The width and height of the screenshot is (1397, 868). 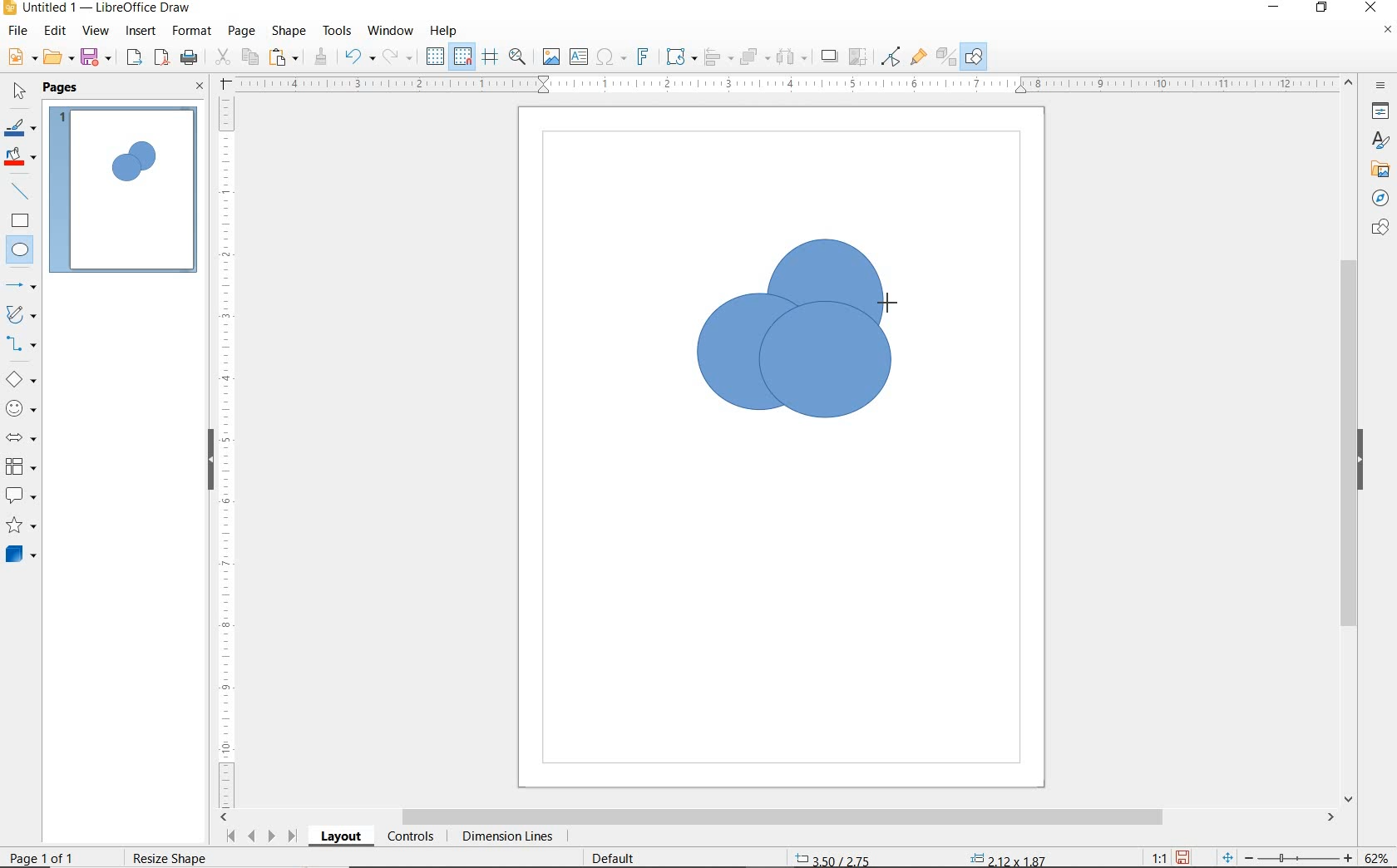 I want to click on SHOW GLUEPOINT FUNCTIONS, so click(x=918, y=57).